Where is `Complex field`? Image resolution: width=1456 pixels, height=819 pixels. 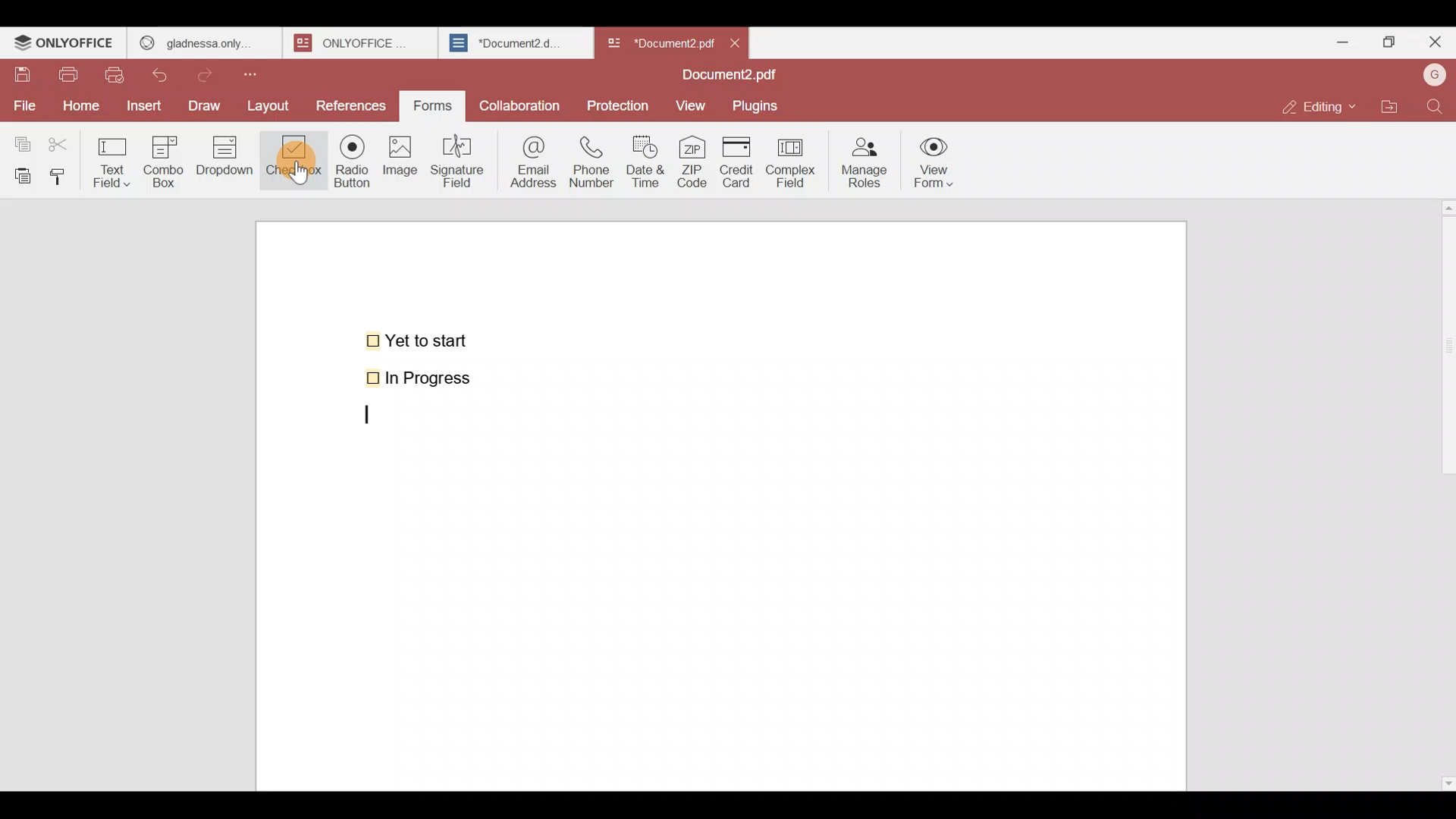
Complex field is located at coordinates (789, 164).